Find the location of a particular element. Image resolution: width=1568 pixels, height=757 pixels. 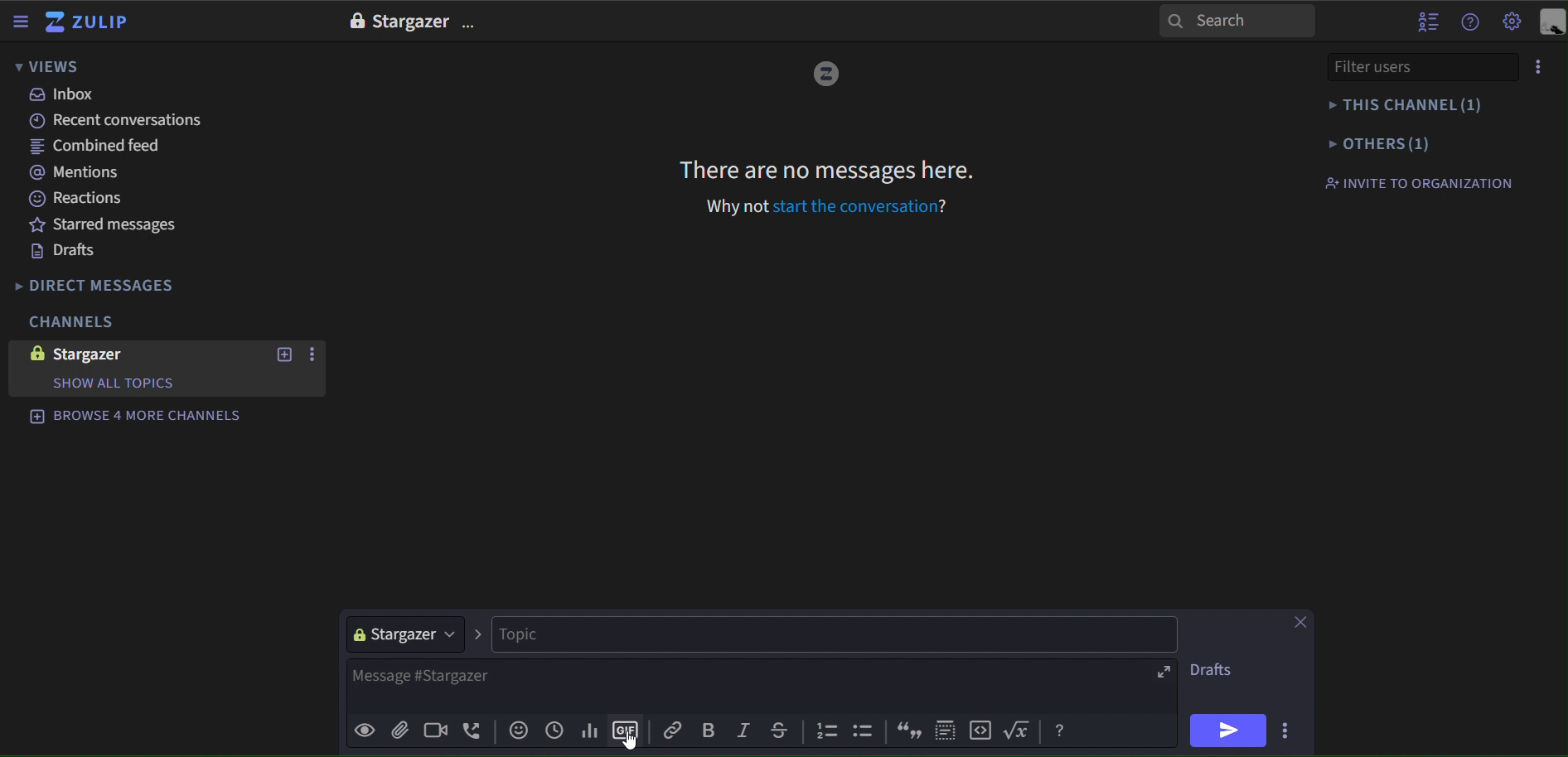

link is located at coordinates (675, 730).